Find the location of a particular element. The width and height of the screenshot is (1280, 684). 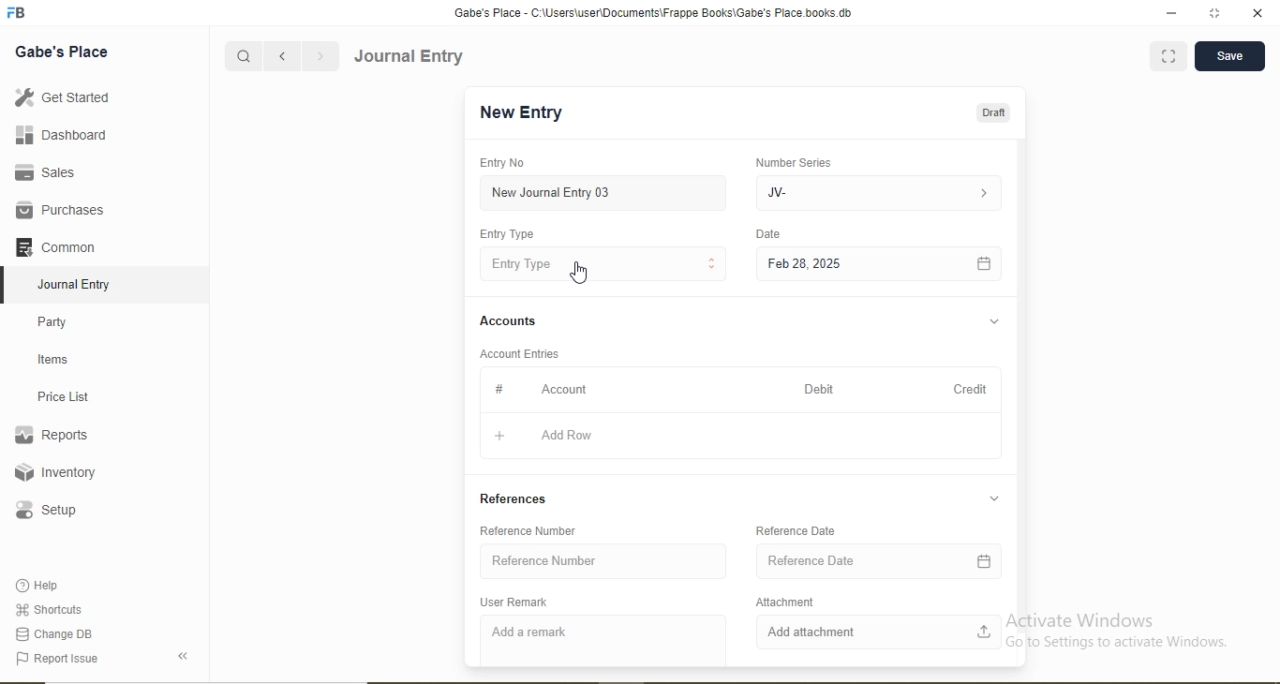

Debit is located at coordinates (819, 389).